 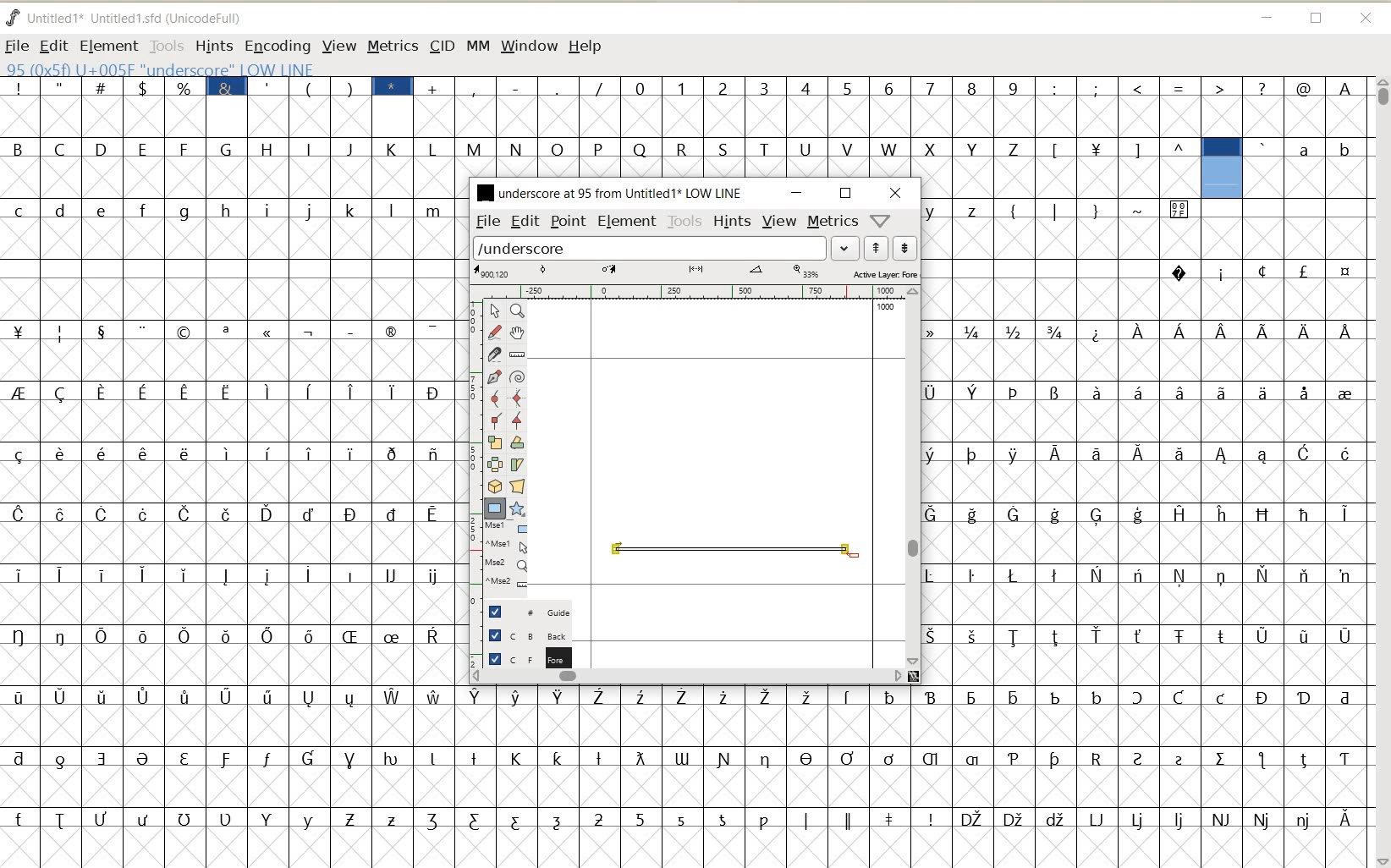 What do you see at coordinates (518, 397) in the screenshot?
I see `add a curve point always either horizontal or vertical` at bounding box center [518, 397].